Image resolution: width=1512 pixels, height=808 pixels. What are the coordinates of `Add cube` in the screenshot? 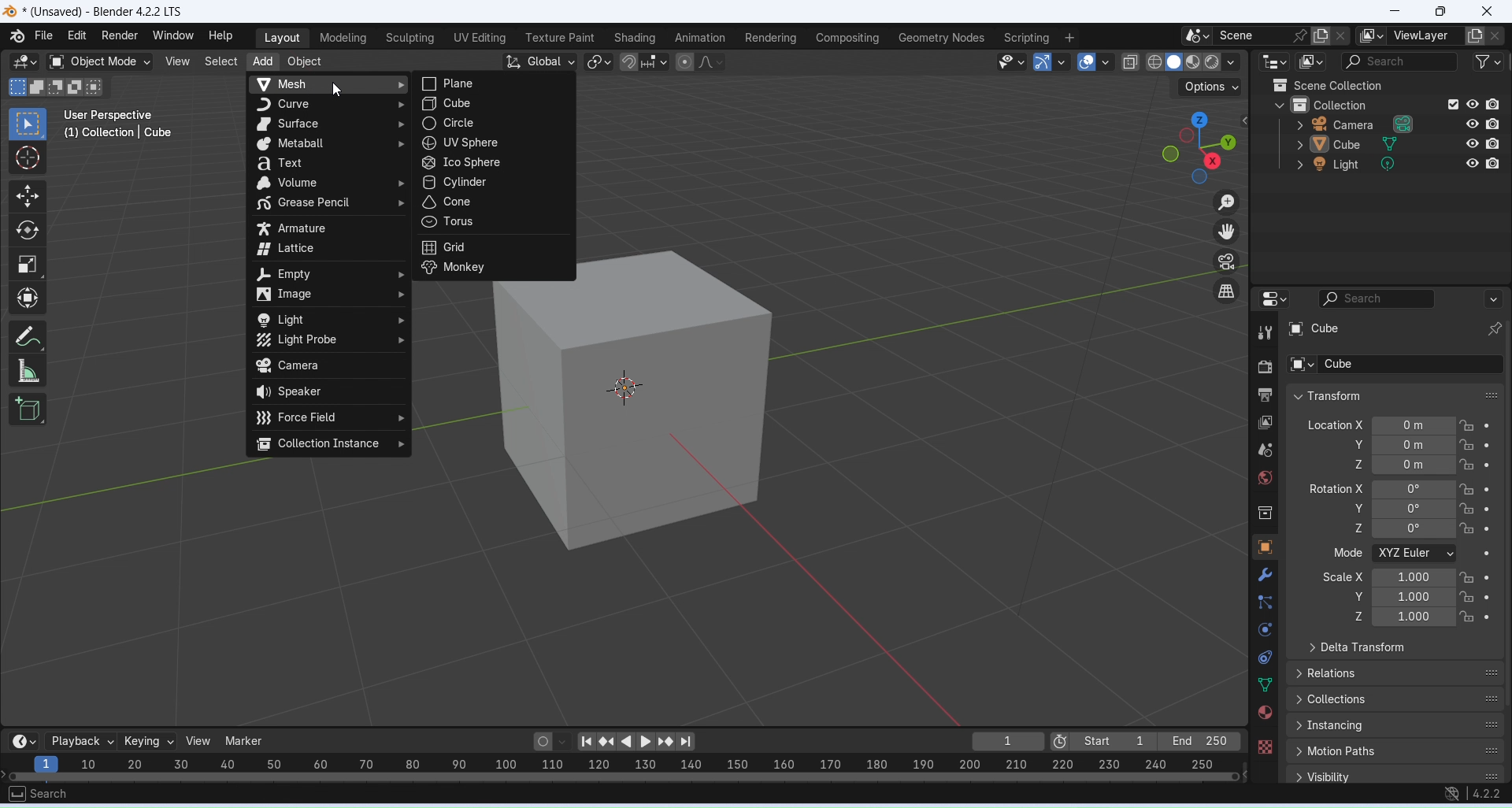 It's located at (29, 408).